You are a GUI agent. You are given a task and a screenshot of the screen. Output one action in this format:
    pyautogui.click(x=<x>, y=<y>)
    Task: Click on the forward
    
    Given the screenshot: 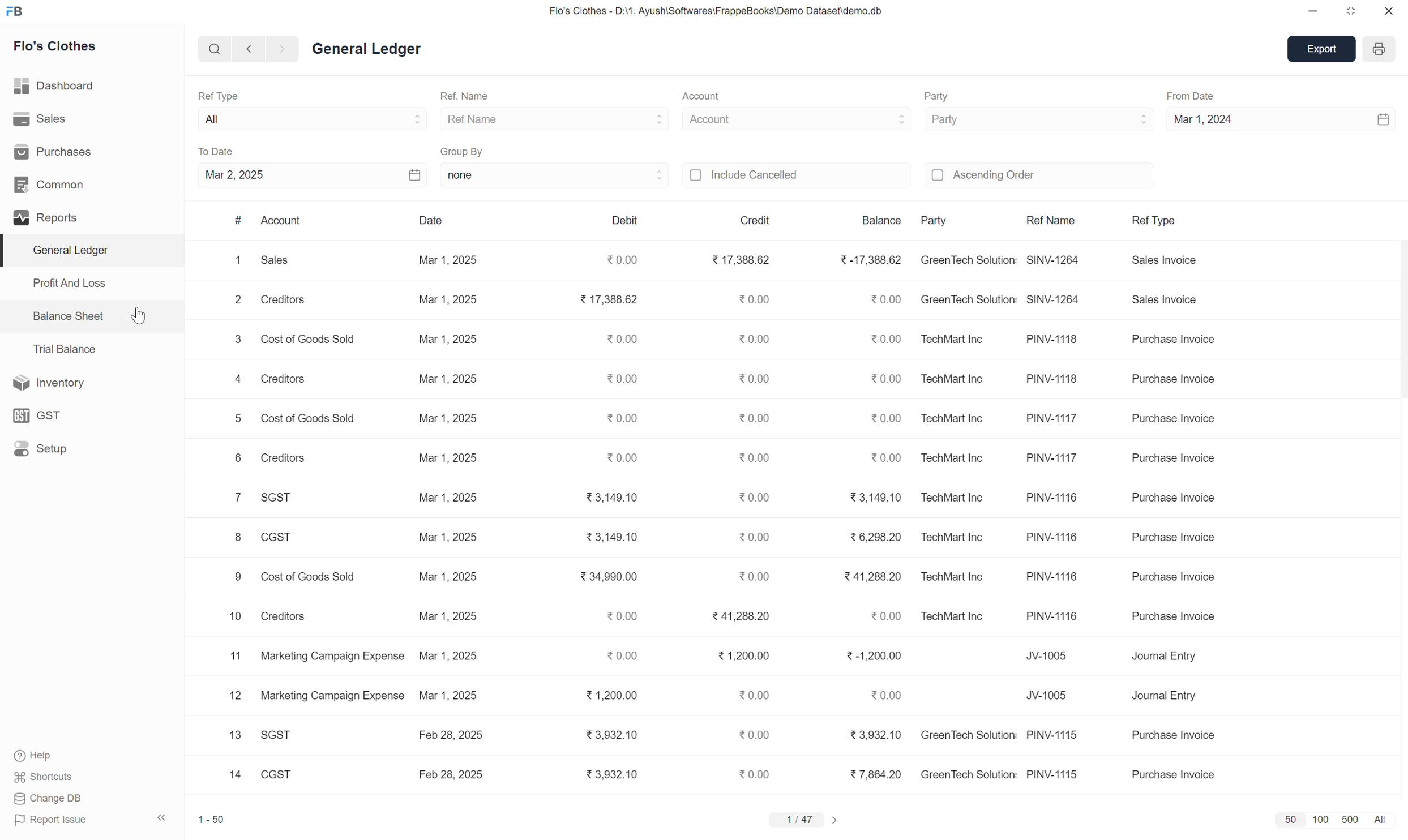 What is the action you would take?
    pyautogui.click(x=838, y=820)
    